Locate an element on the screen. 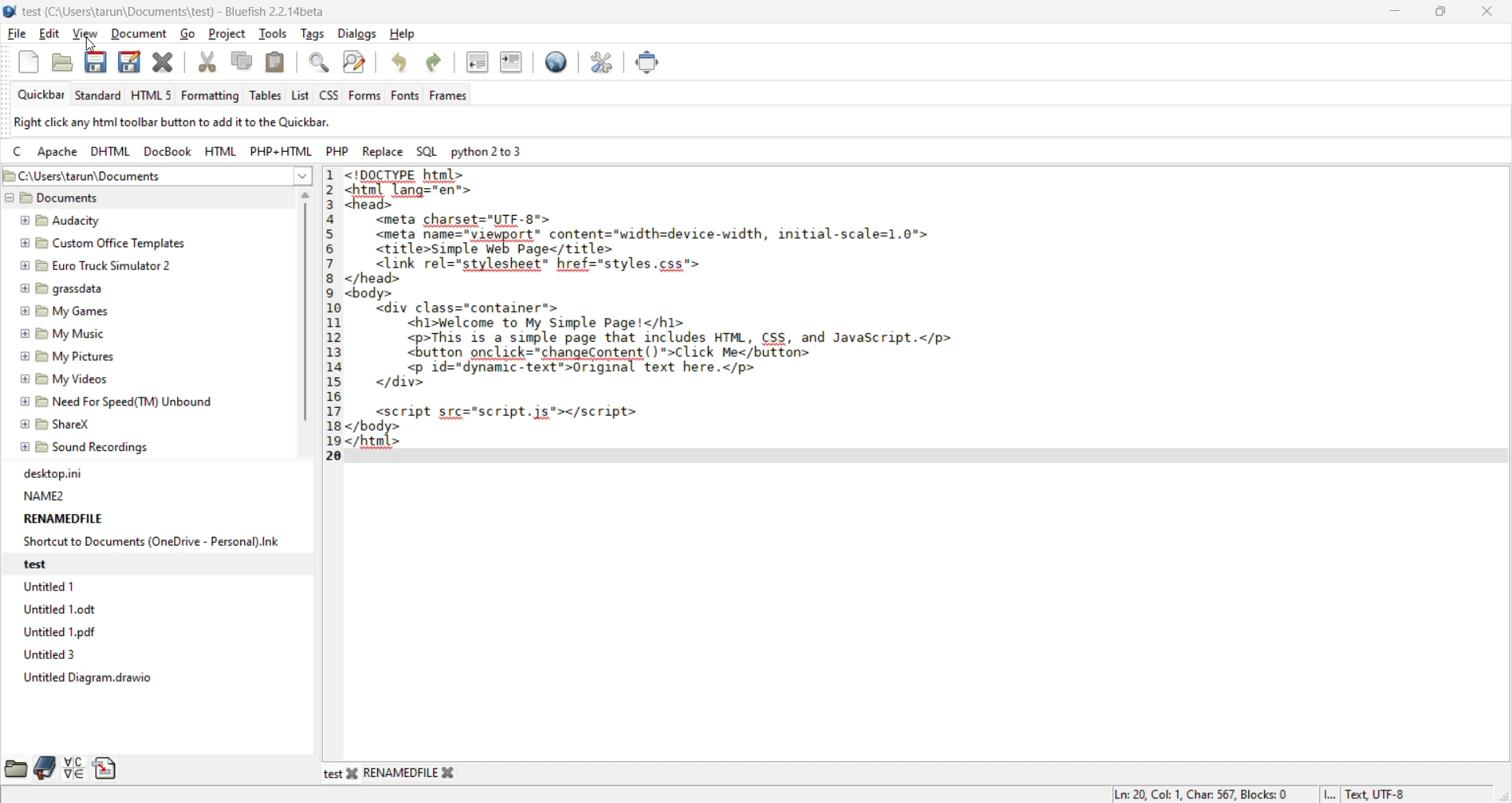 This screenshot has height=803, width=1512. Untitled Diagram.drawio is located at coordinates (86, 678).